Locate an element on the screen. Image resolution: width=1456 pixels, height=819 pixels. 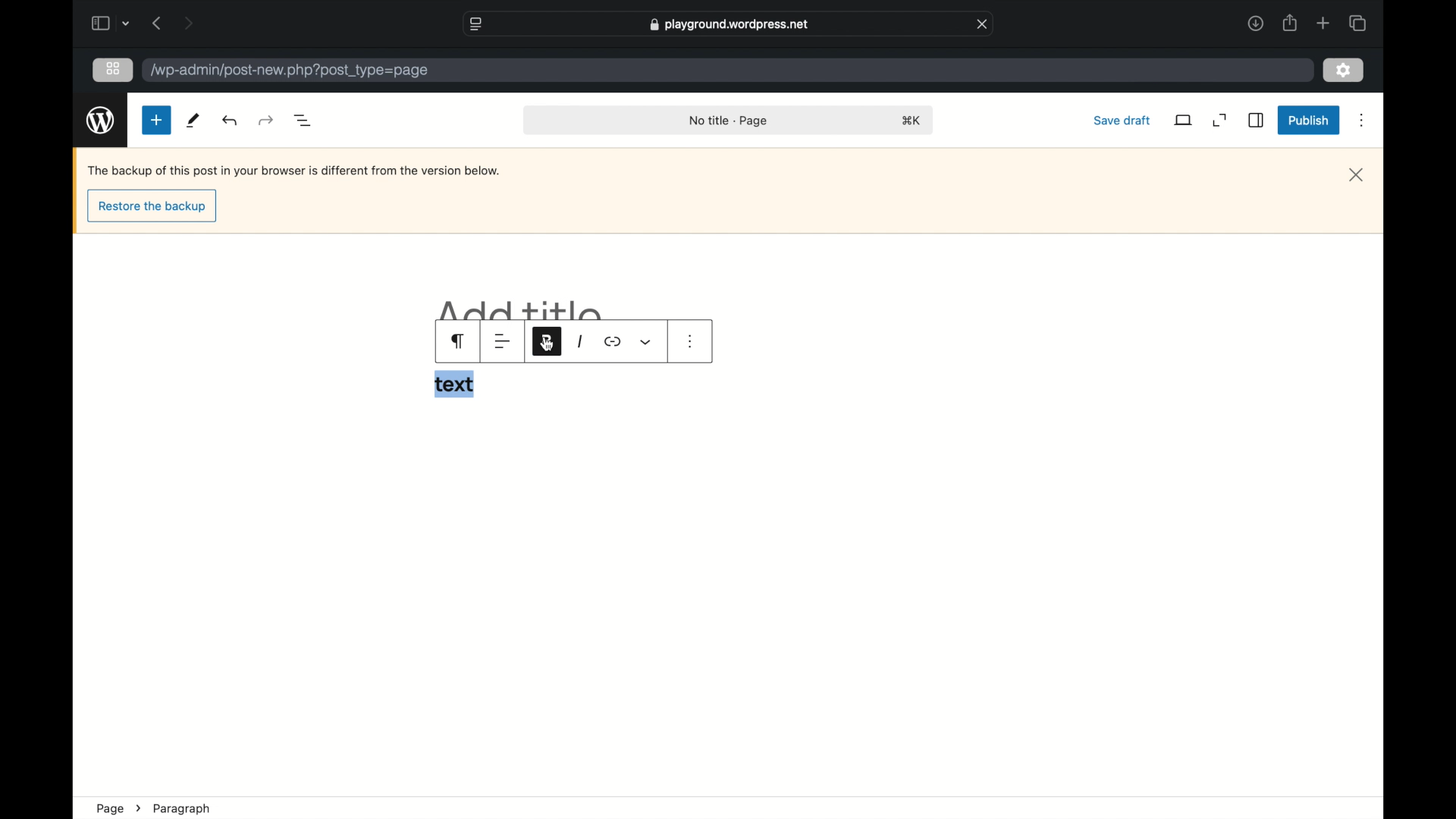
add title is located at coordinates (522, 309).